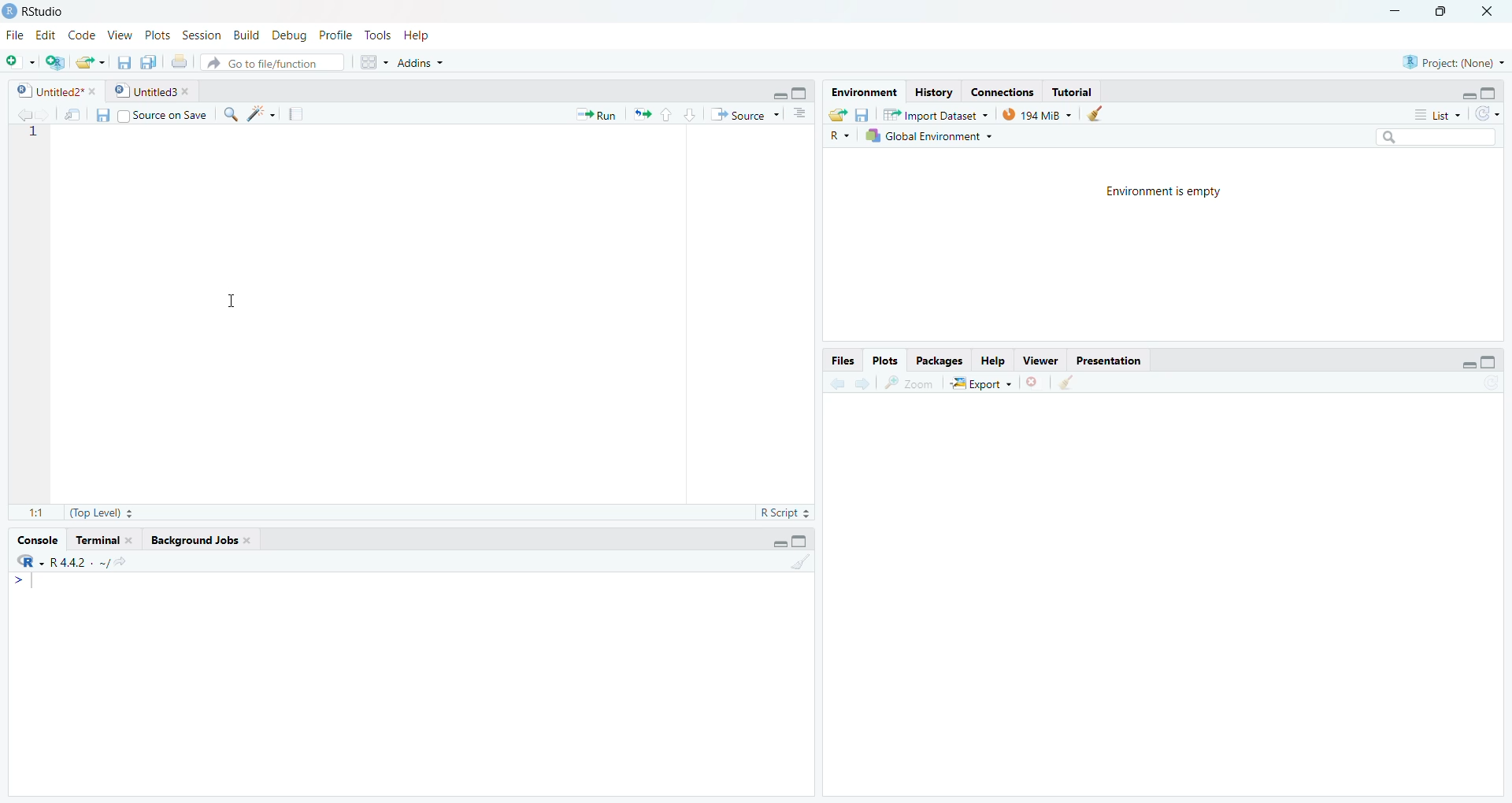 The height and width of the screenshot is (803, 1512). Describe the element at coordinates (839, 136) in the screenshot. I see `` at that location.